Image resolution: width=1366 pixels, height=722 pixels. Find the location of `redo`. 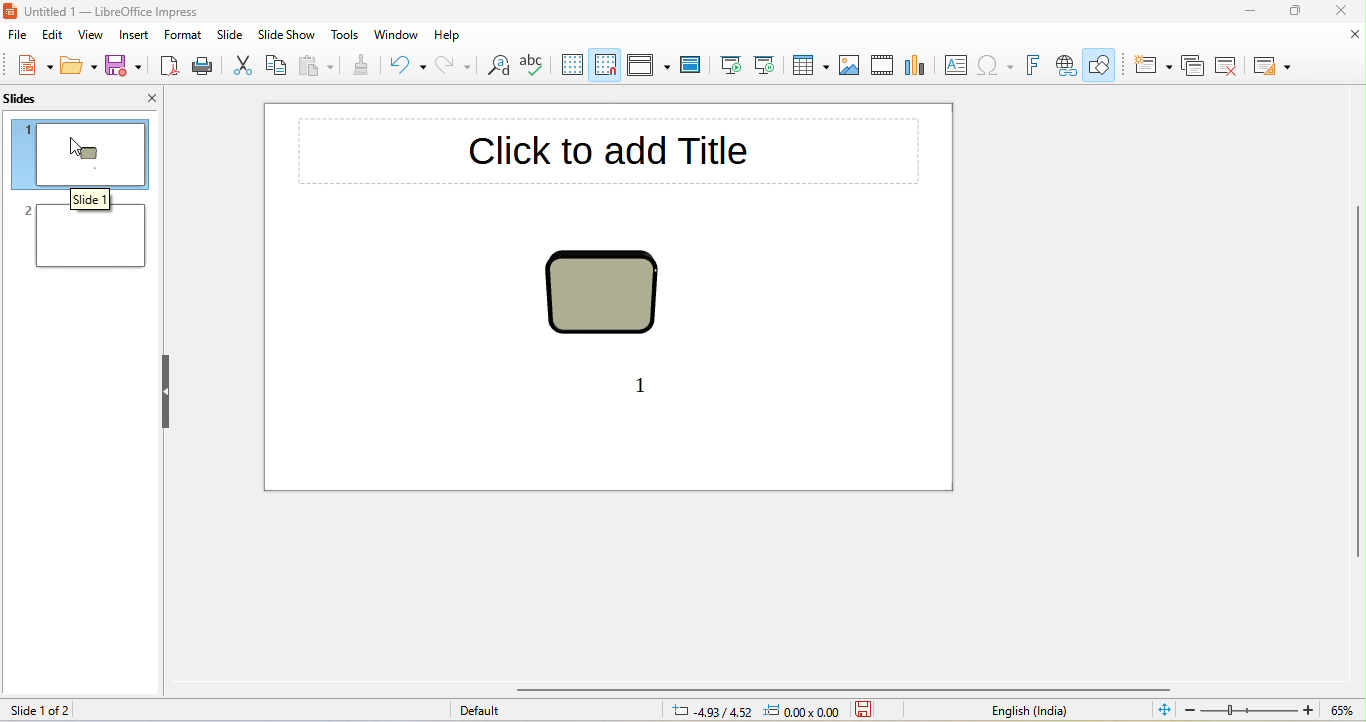

redo is located at coordinates (455, 68).